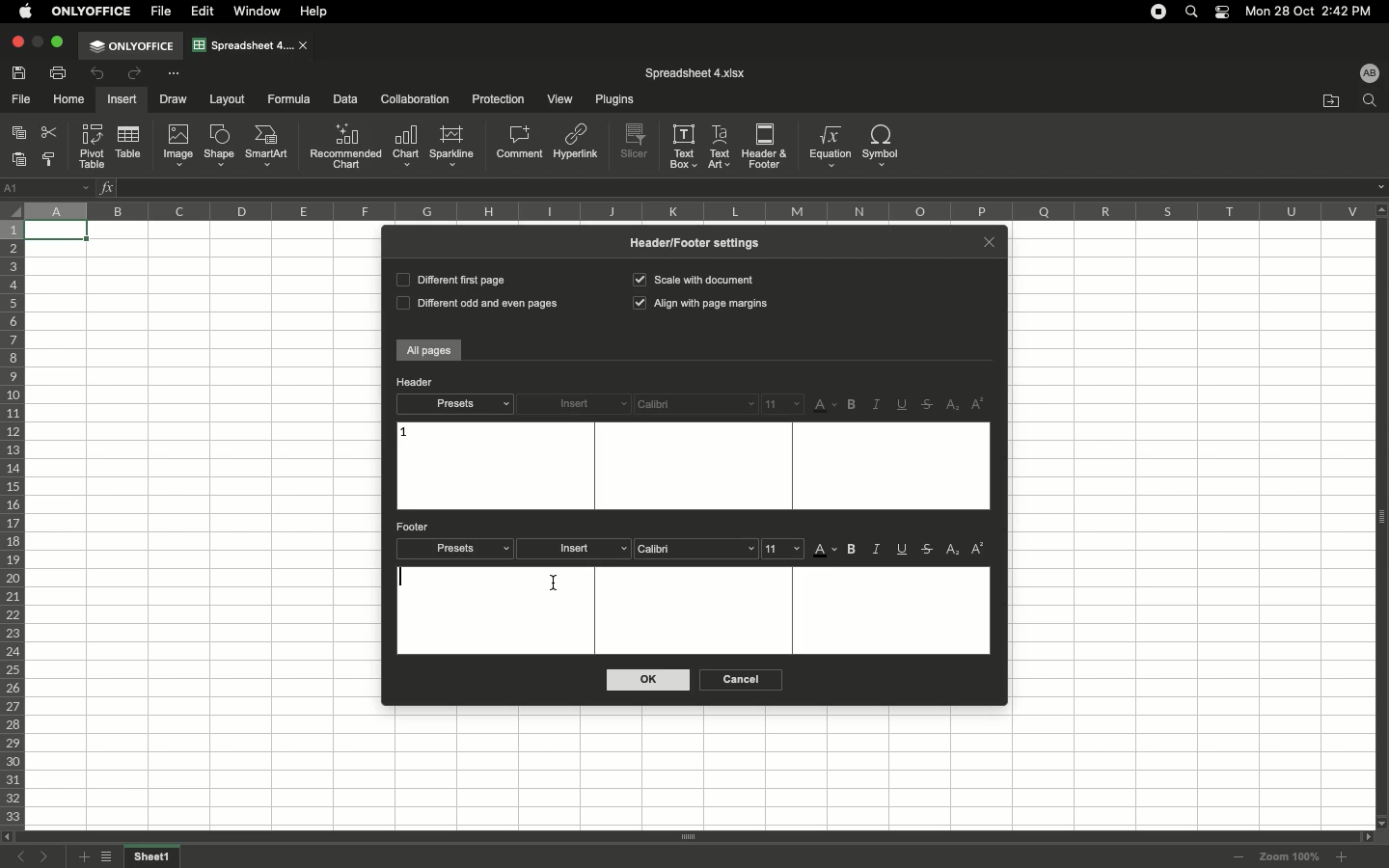 This screenshot has width=1389, height=868. What do you see at coordinates (977, 549) in the screenshot?
I see `Superscript` at bounding box center [977, 549].